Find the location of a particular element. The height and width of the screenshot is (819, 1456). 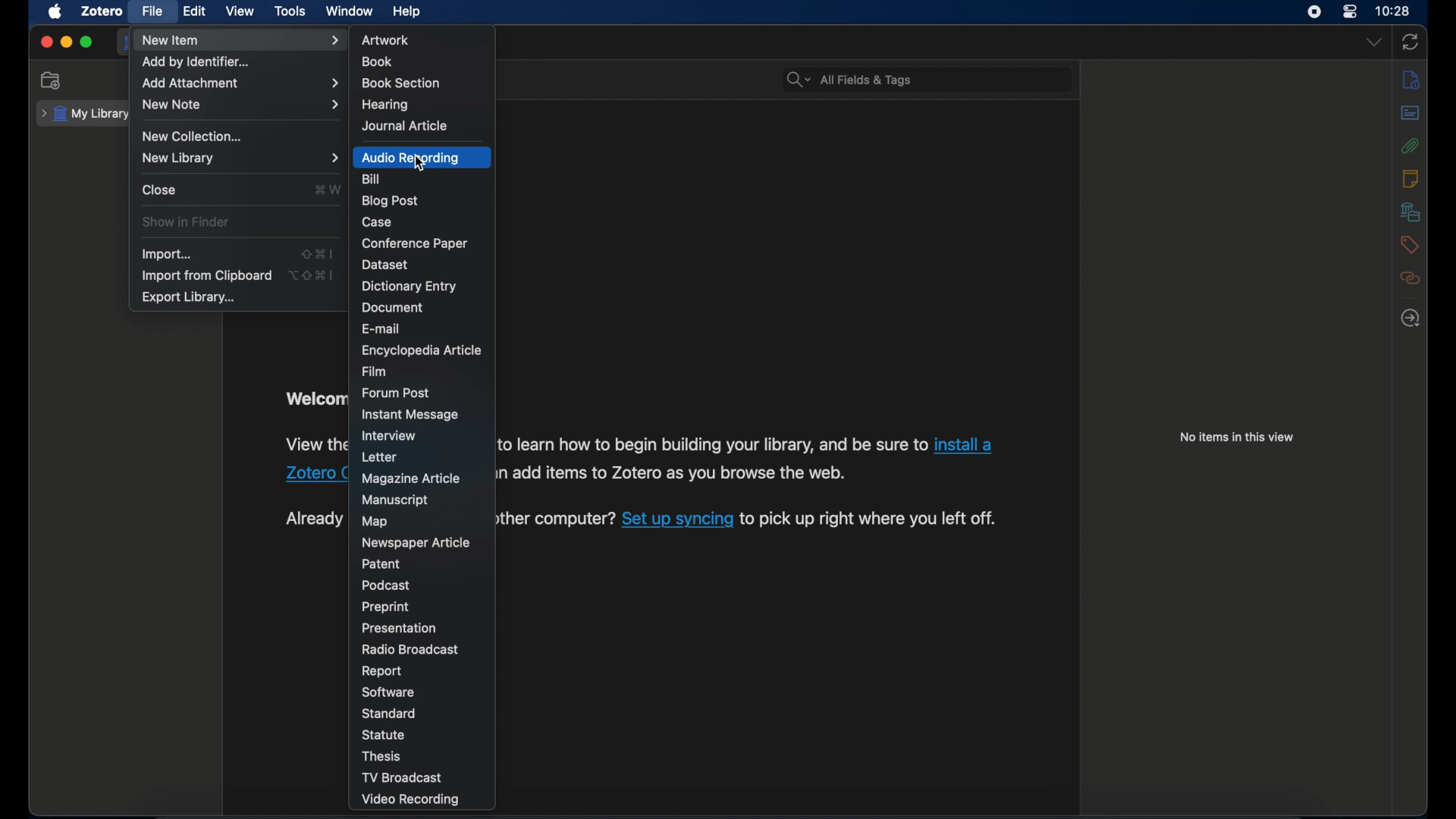

link is located at coordinates (671, 474).